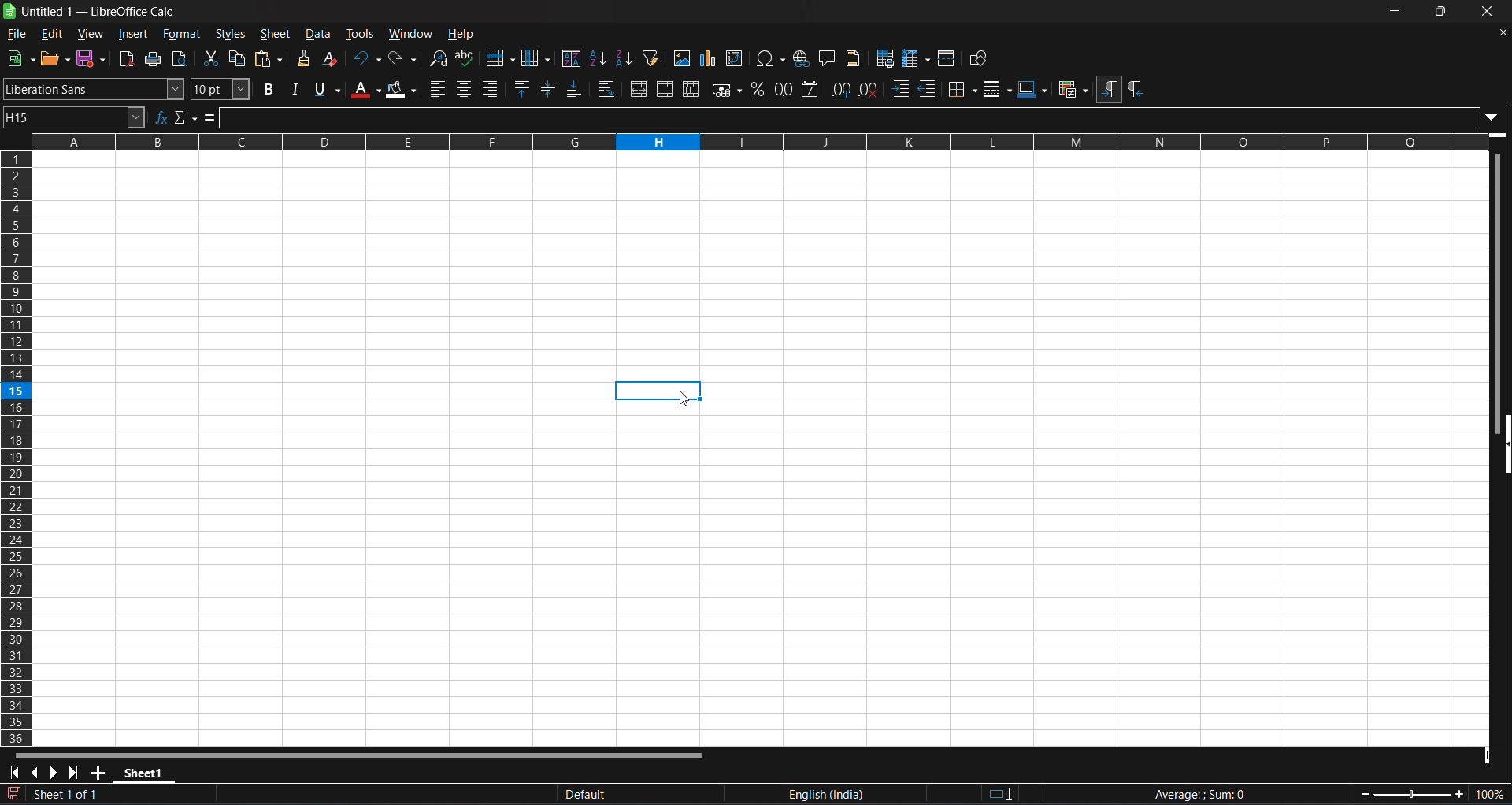 The height and width of the screenshot is (805, 1512). I want to click on insert special characters, so click(769, 58).